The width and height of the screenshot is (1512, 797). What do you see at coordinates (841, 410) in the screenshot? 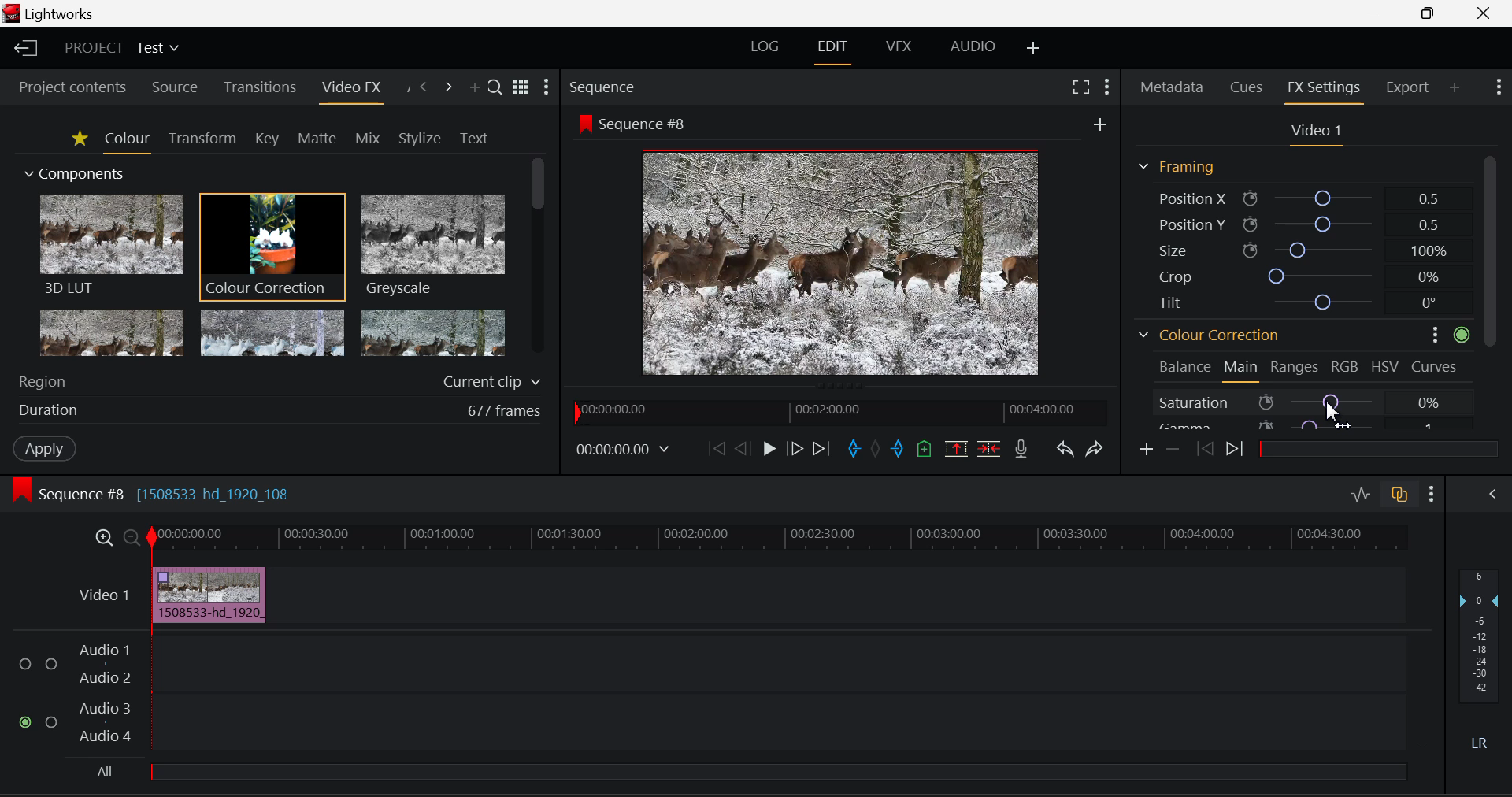
I see `Project Timeline Navigator` at bounding box center [841, 410].